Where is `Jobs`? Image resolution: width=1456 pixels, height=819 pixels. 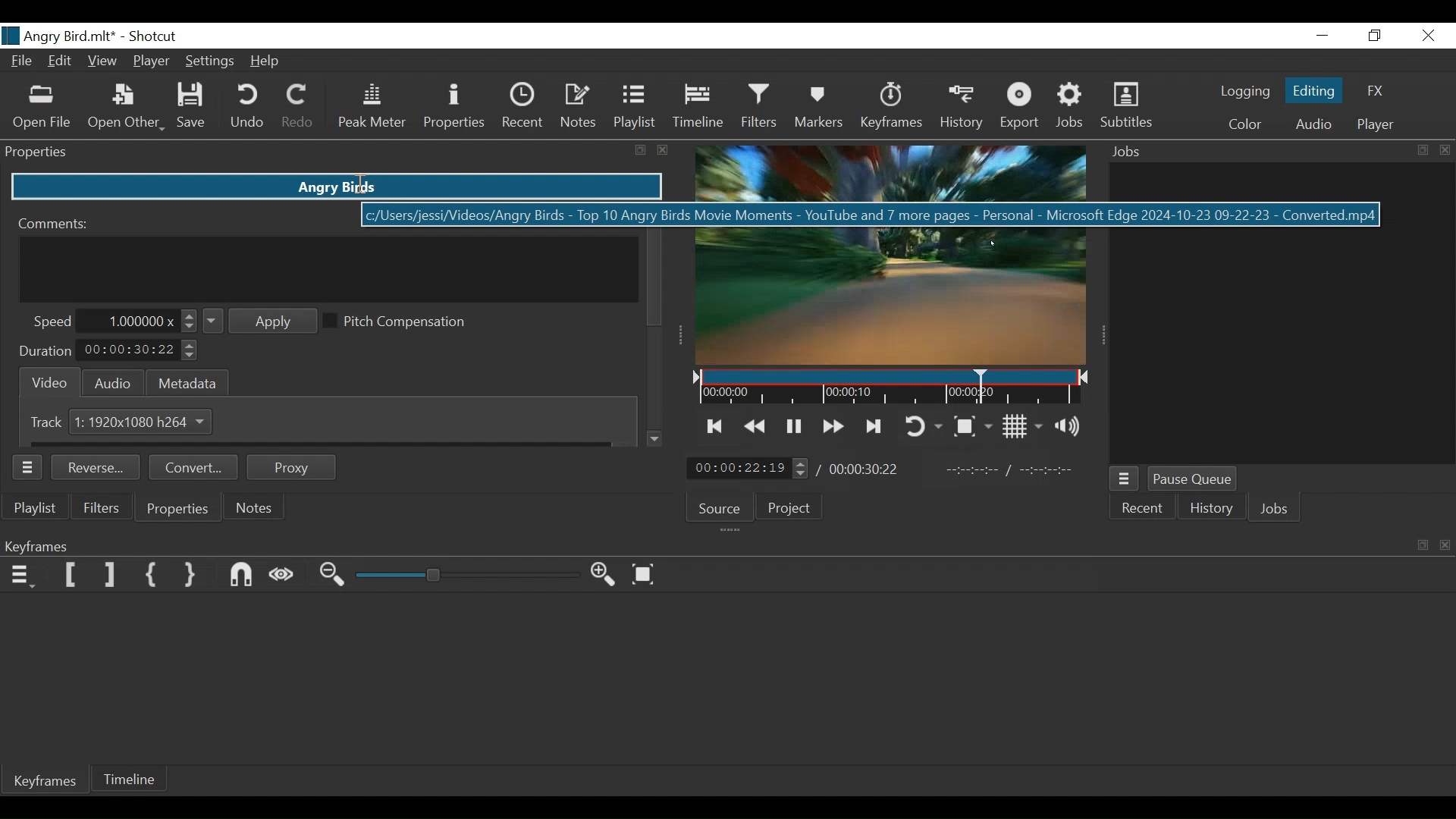
Jobs is located at coordinates (1276, 508).